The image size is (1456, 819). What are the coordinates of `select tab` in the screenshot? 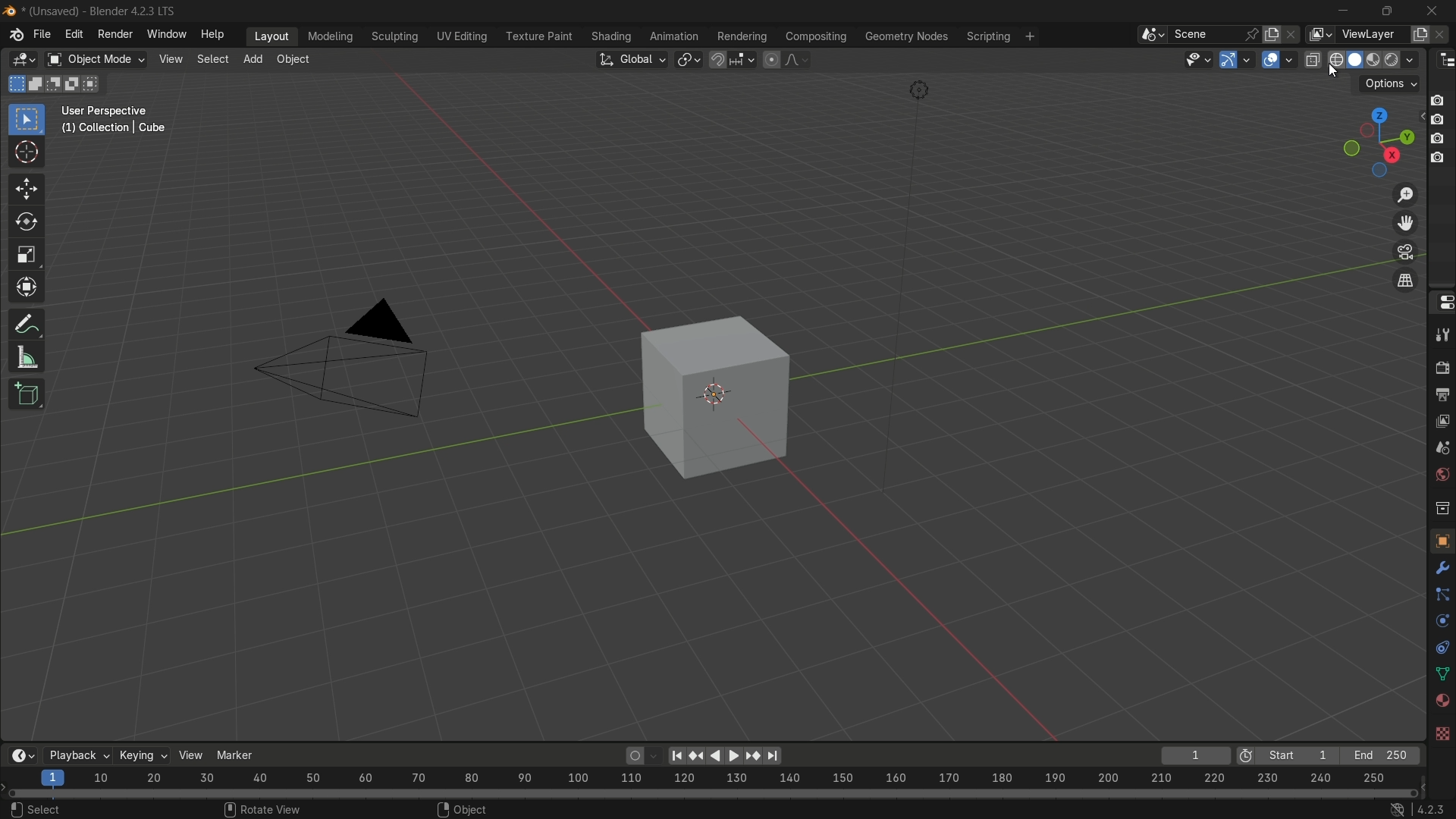 It's located at (212, 59).